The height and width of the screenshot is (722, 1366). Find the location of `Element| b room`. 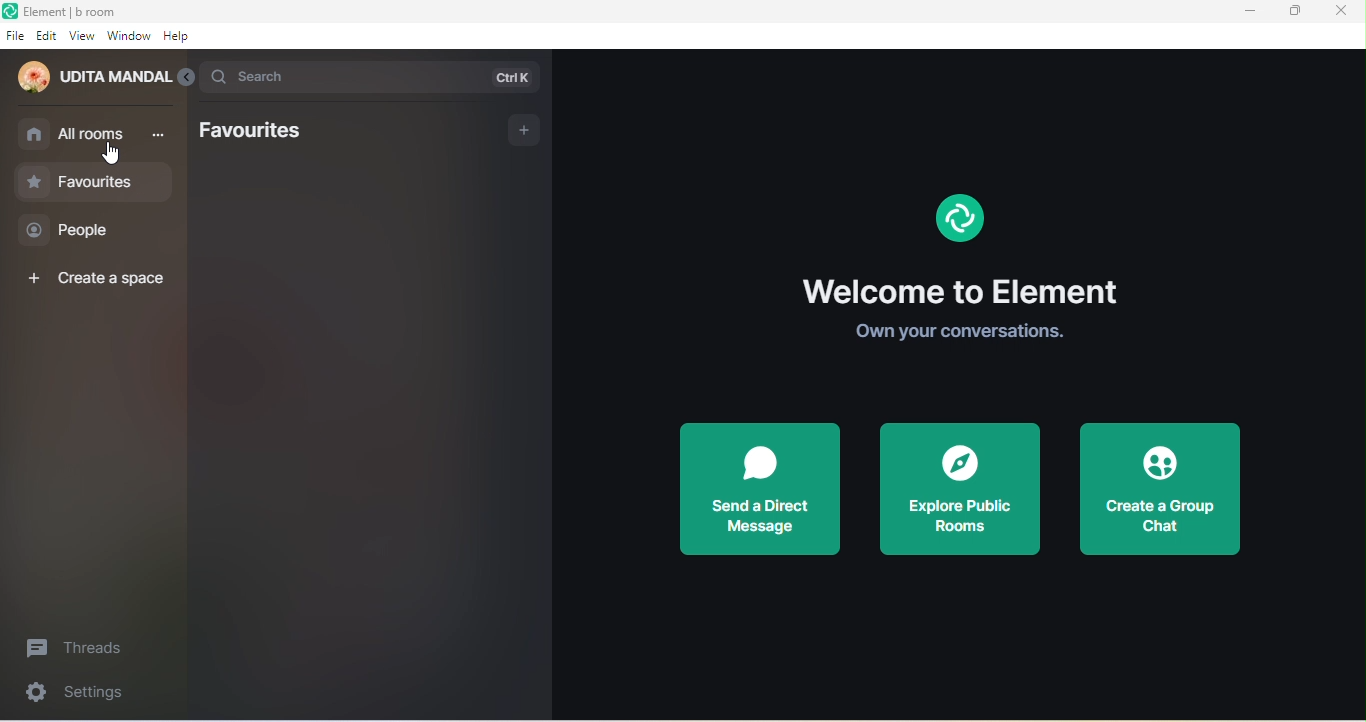

Element| b room is located at coordinates (93, 11).